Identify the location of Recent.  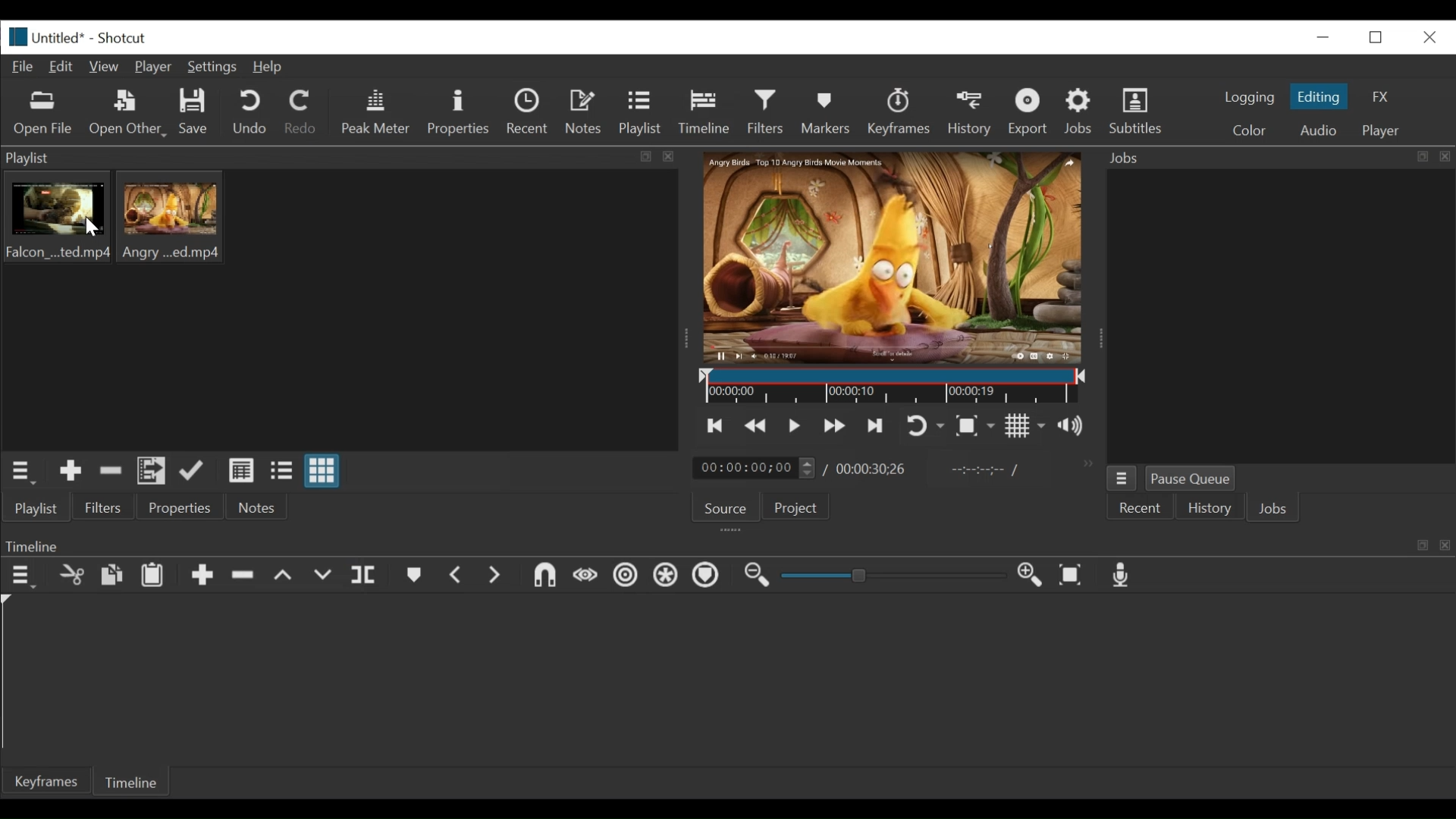
(1141, 509).